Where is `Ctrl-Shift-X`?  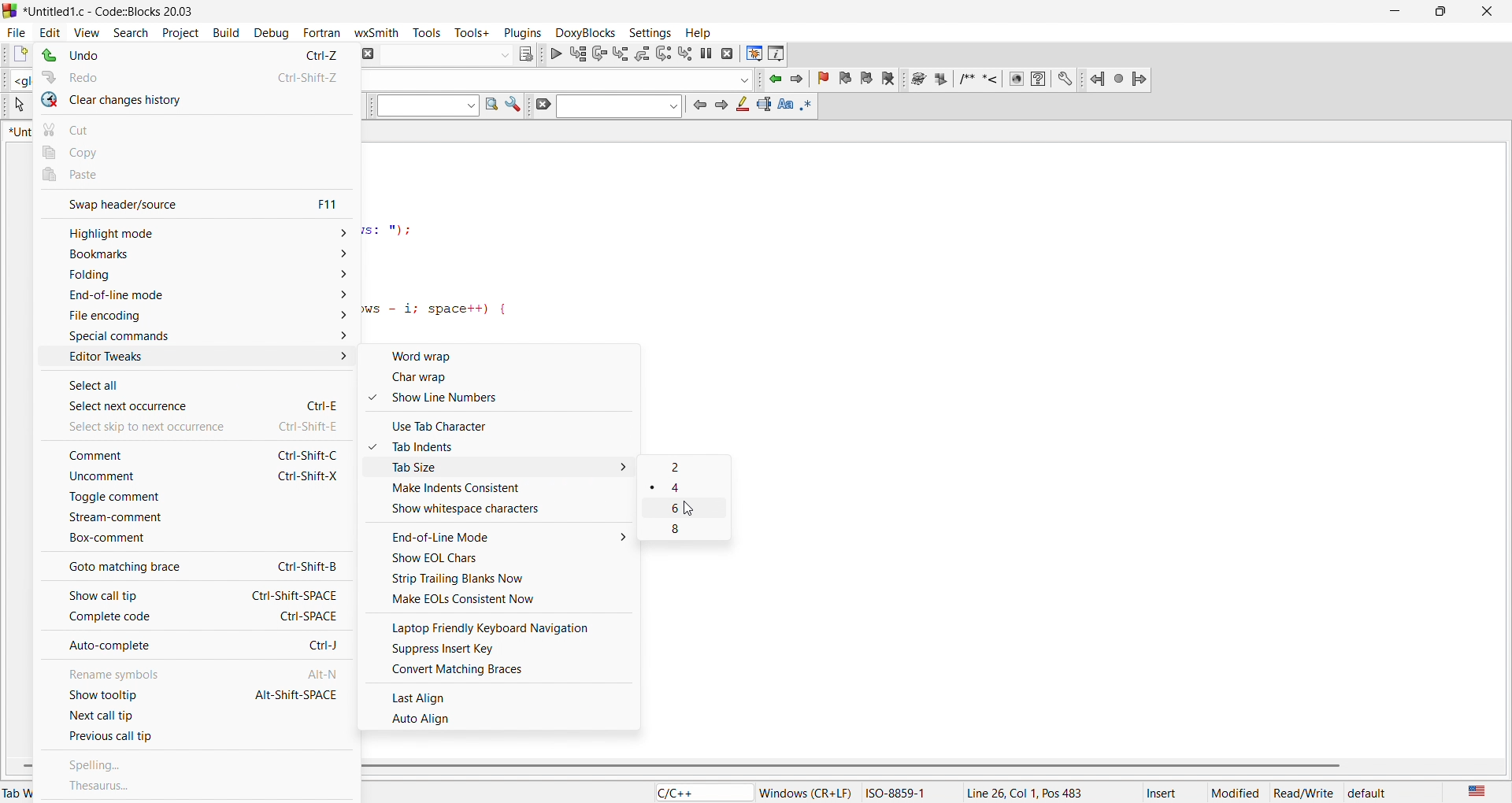 Ctrl-Shift-X is located at coordinates (309, 477).